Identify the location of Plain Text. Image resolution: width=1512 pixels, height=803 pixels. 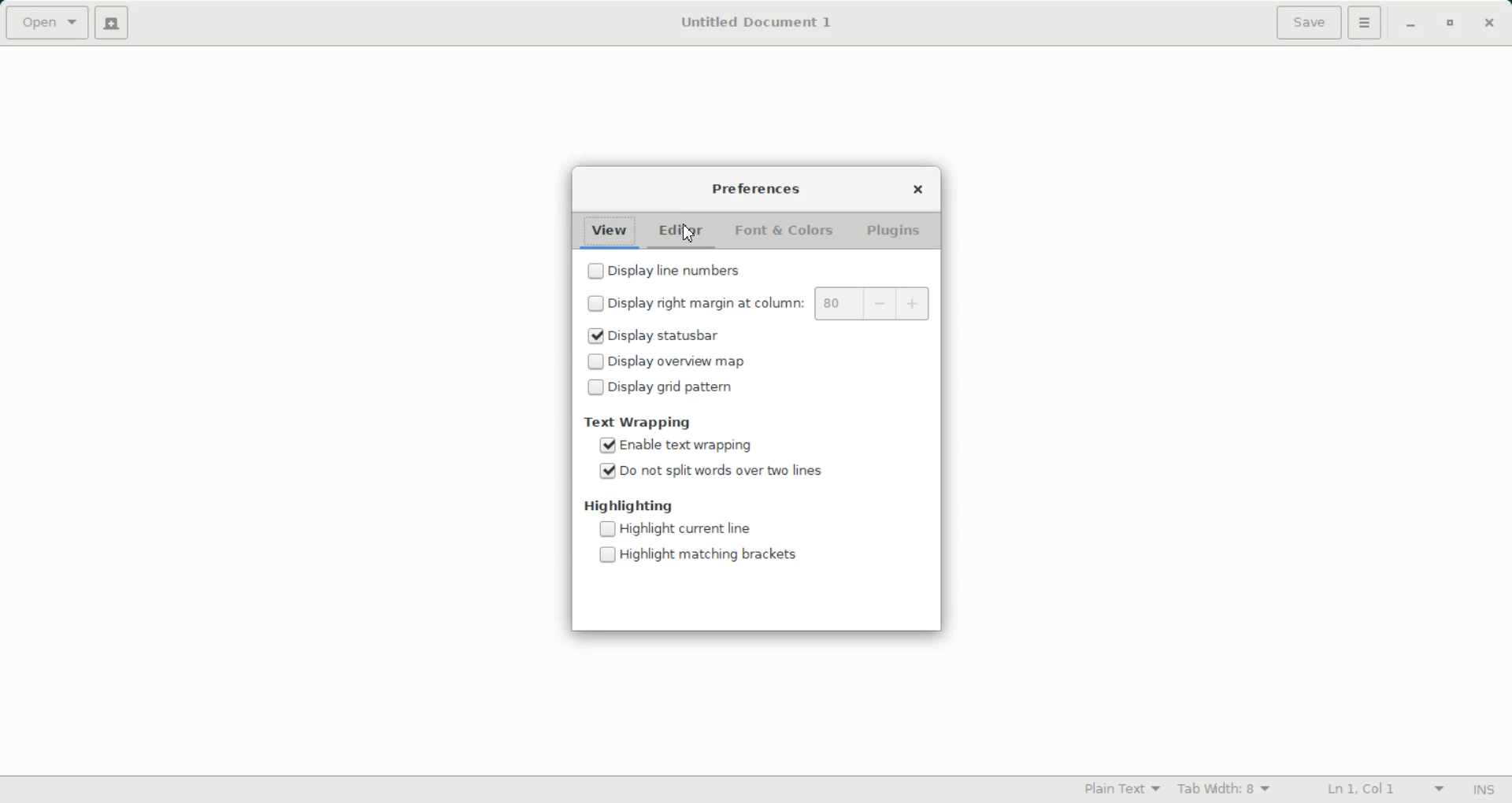
(1122, 789).